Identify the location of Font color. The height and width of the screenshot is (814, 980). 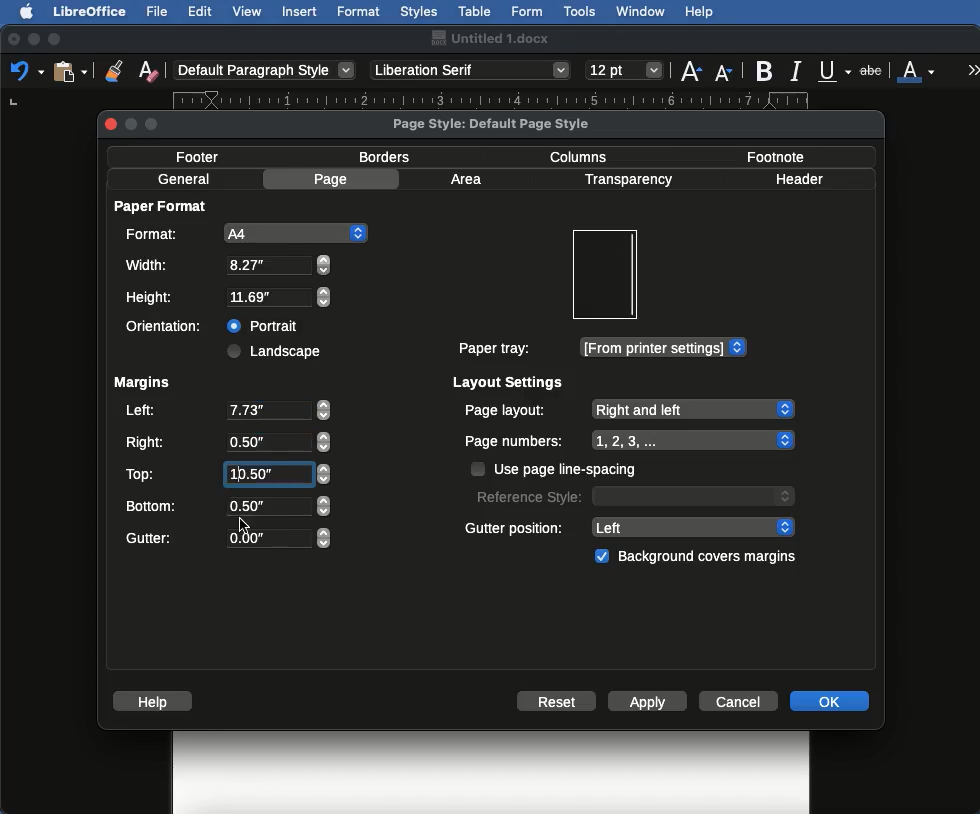
(917, 69).